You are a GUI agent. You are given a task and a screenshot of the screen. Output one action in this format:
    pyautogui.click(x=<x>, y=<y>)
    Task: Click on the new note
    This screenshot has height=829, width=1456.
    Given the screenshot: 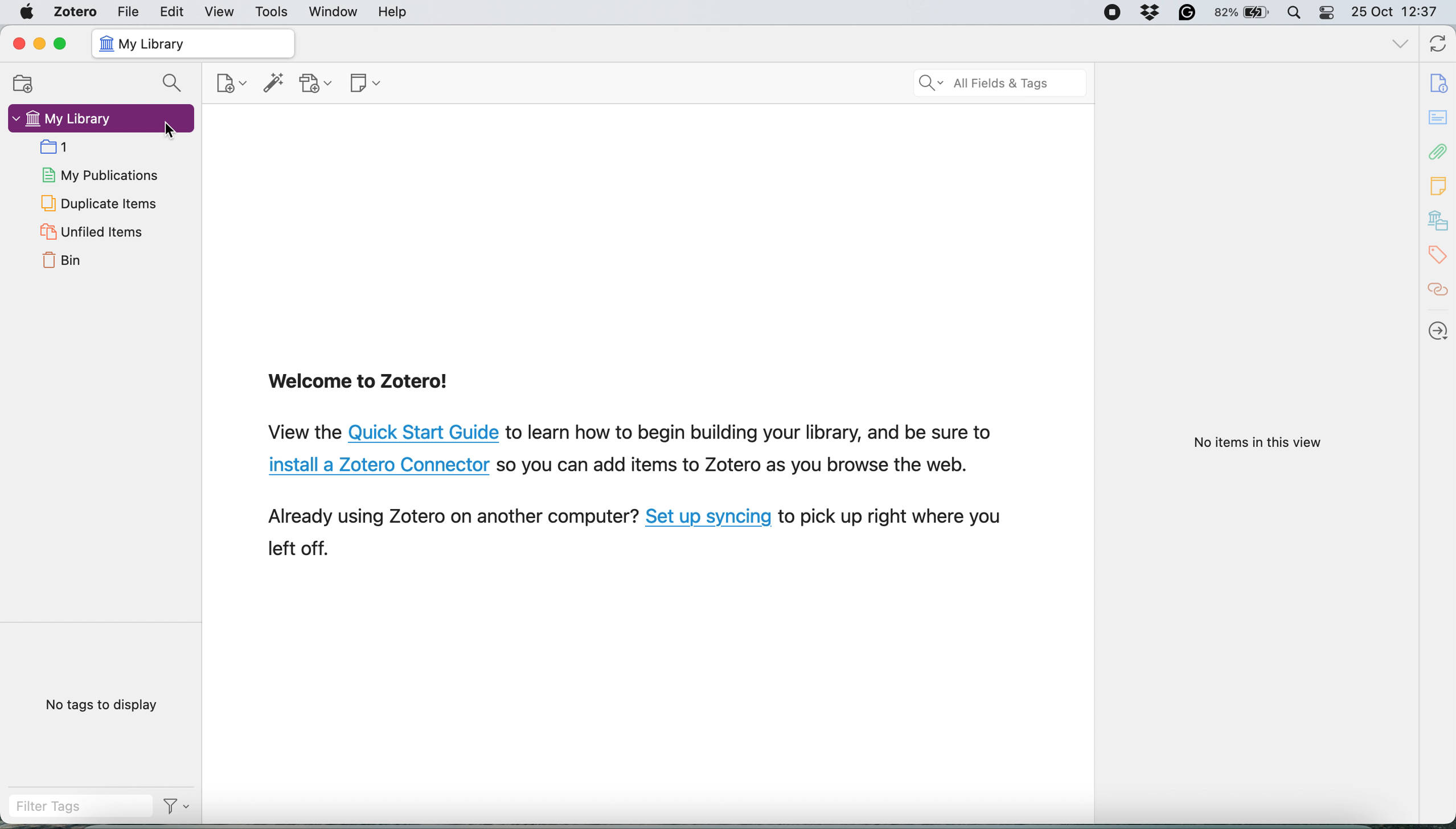 What is the action you would take?
    pyautogui.click(x=367, y=84)
    